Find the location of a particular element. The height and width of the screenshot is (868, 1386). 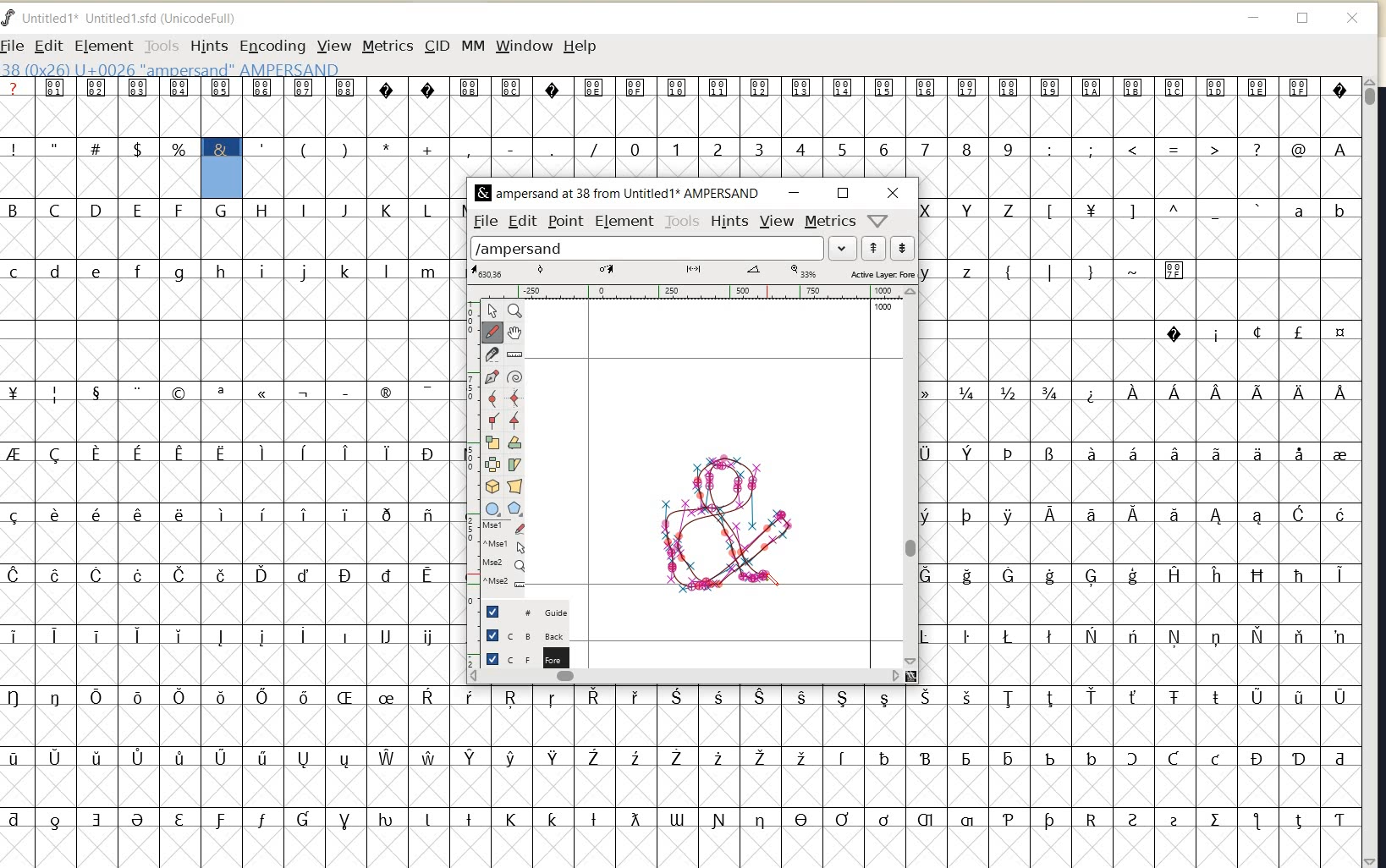

perform a perspective transformation on the selection is located at coordinates (514, 487).